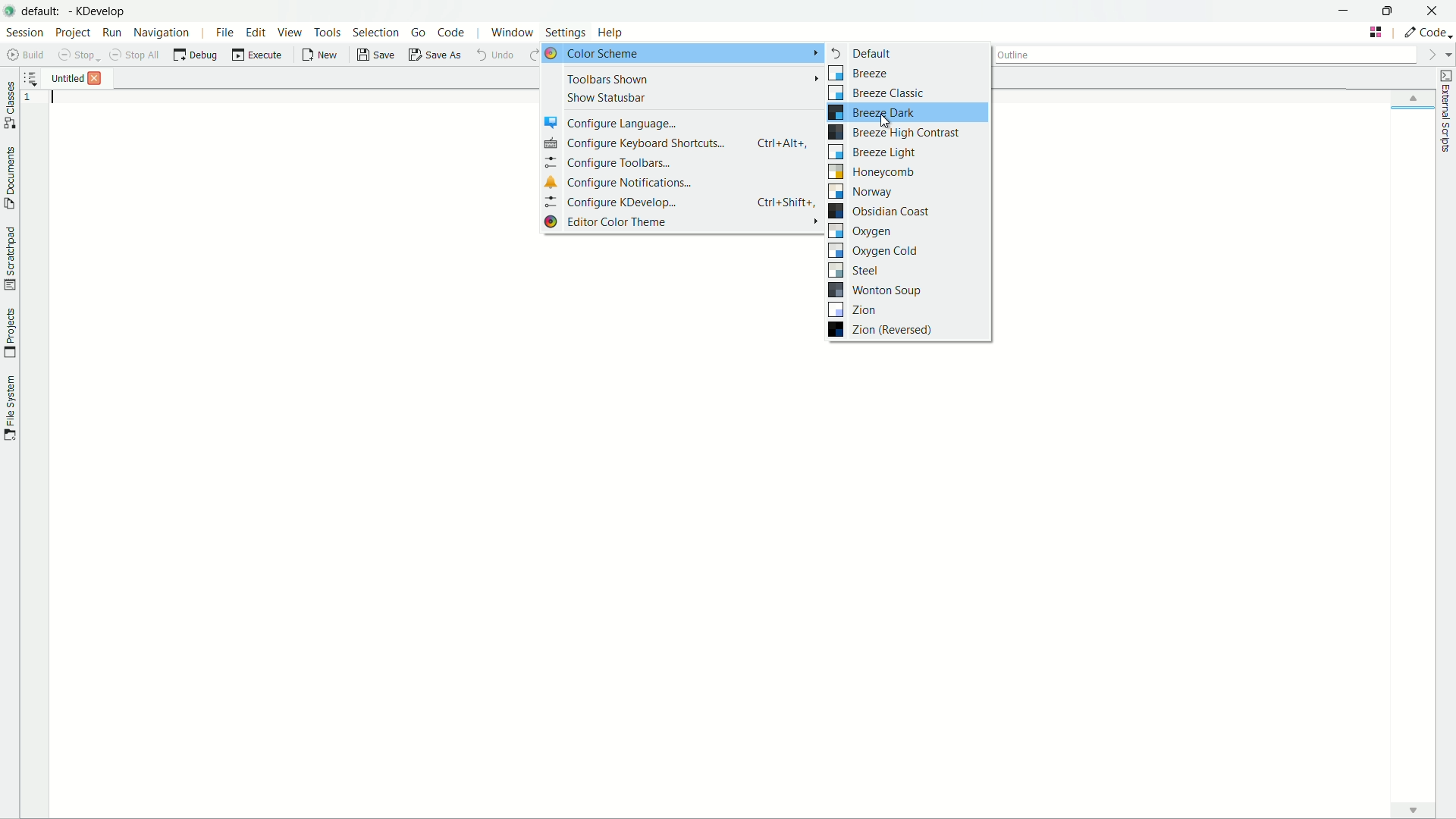  I want to click on navigation, so click(162, 34).